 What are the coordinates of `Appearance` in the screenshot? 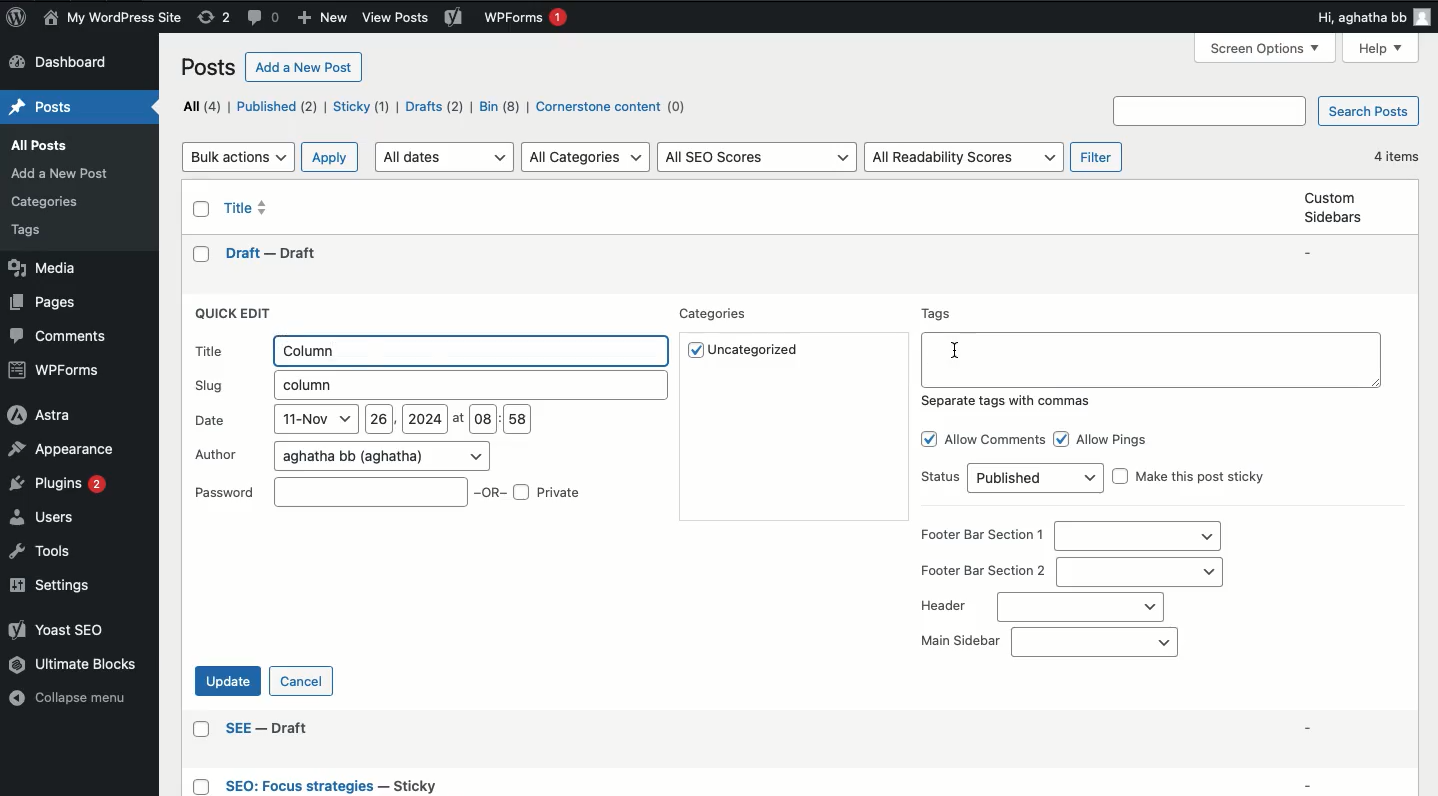 It's located at (65, 450).